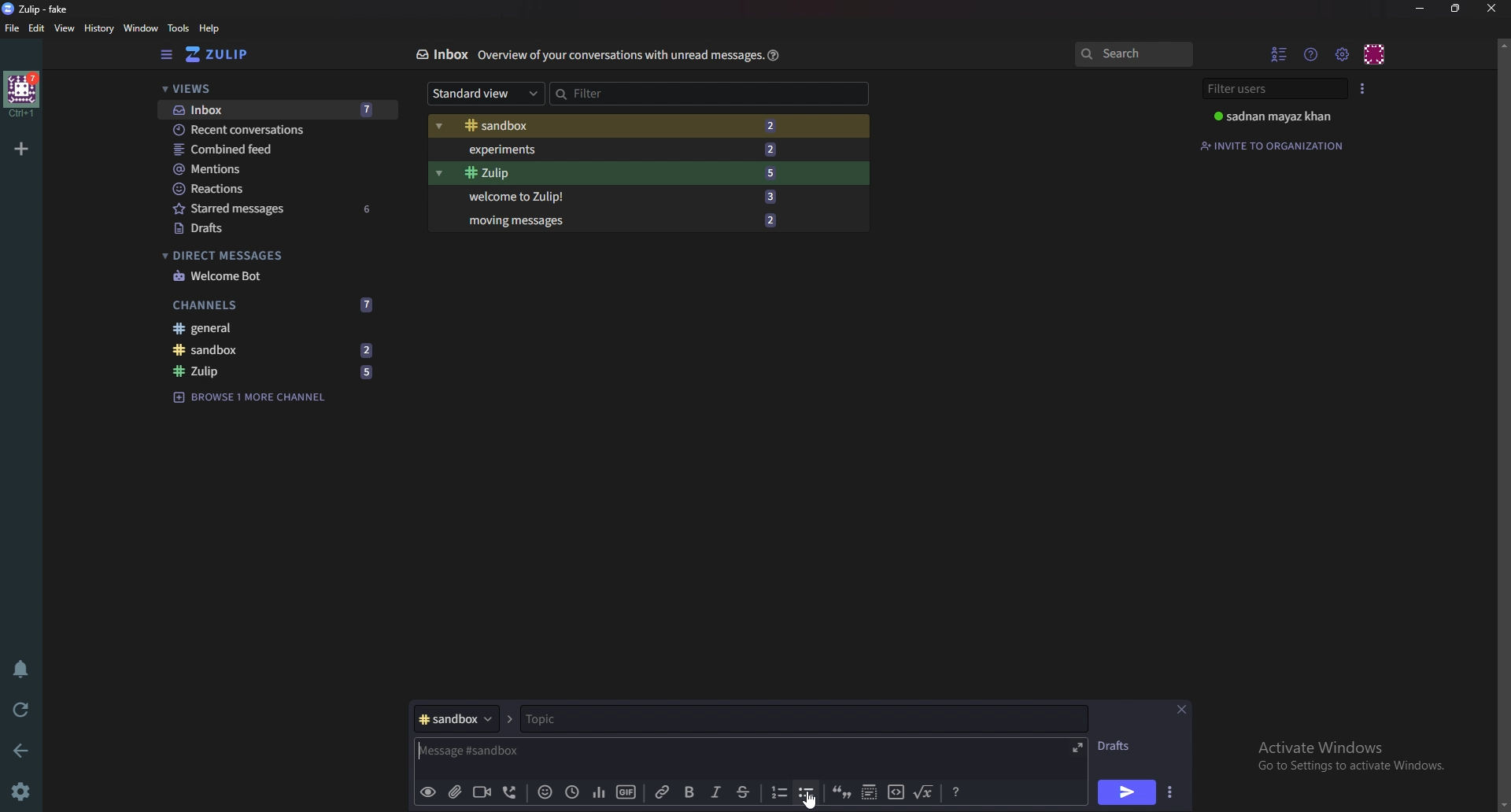 The height and width of the screenshot is (812, 1511). What do you see at coordinates (925, 790) in the screenshot?
I see `Math` at bounding box center [925, 790].